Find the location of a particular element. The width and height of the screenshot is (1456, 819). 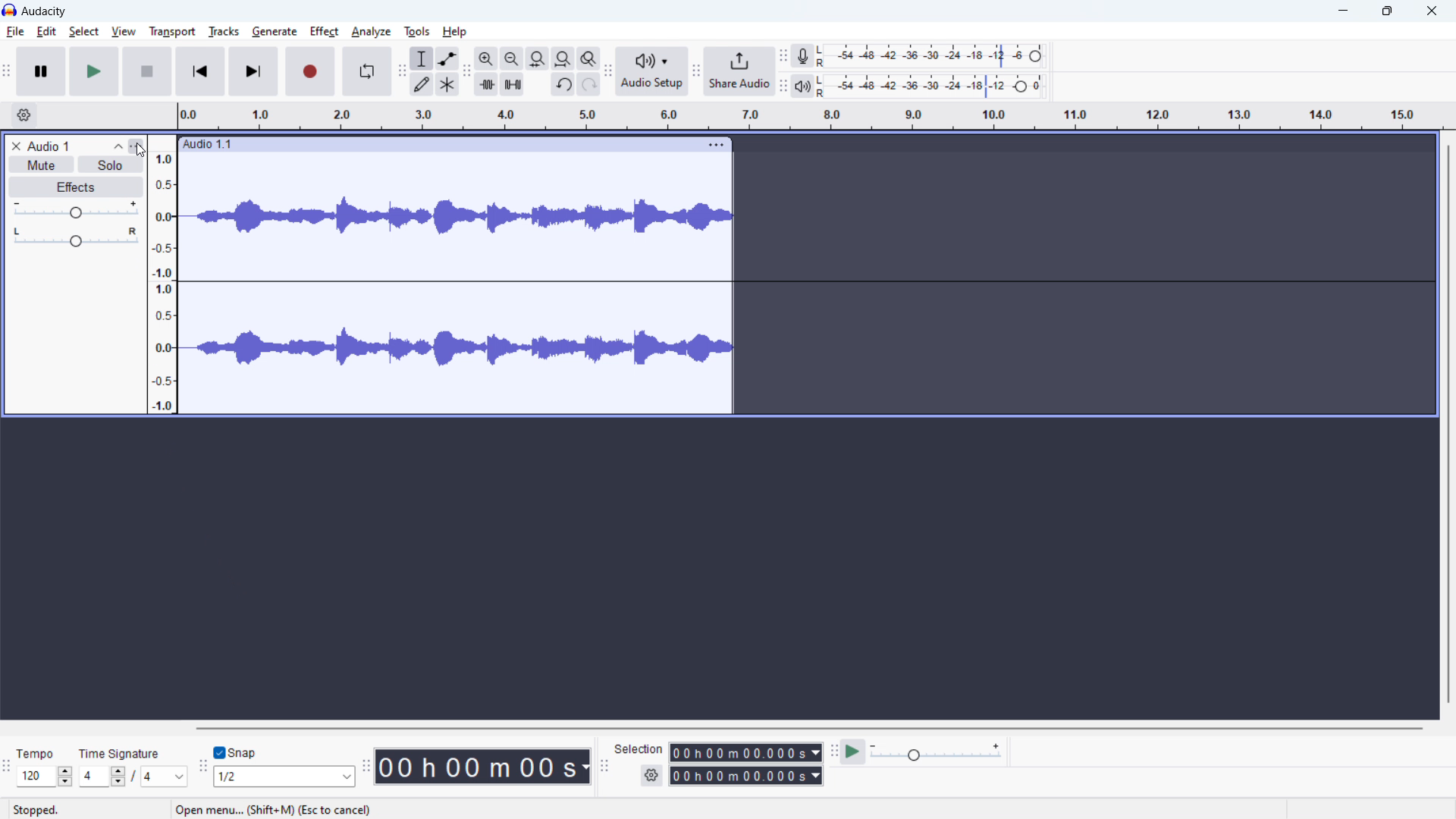

effect is located at coordinates (324, 32).